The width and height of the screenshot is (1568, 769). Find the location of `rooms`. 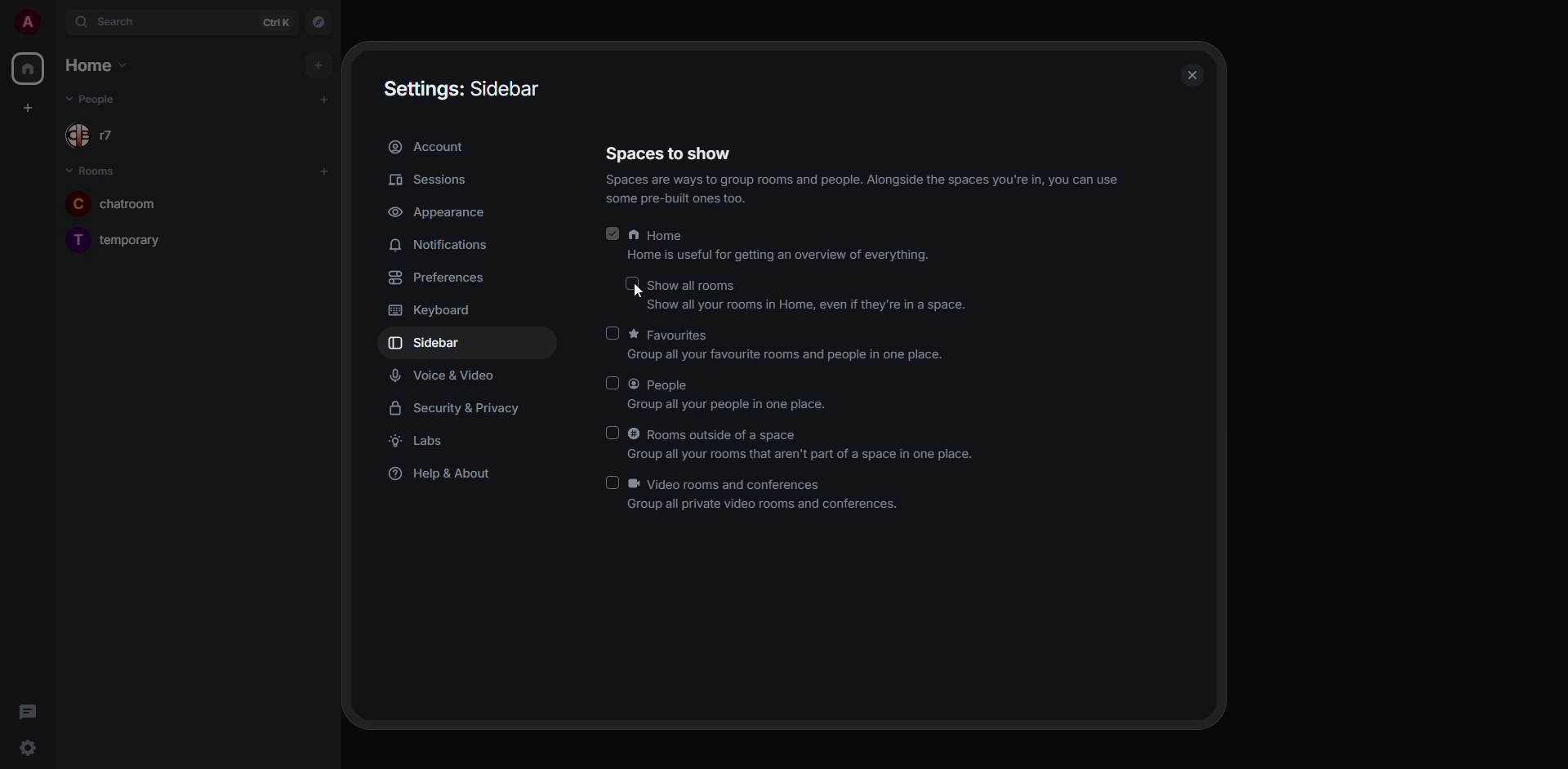

rooms is located at coordinates (96, 172).